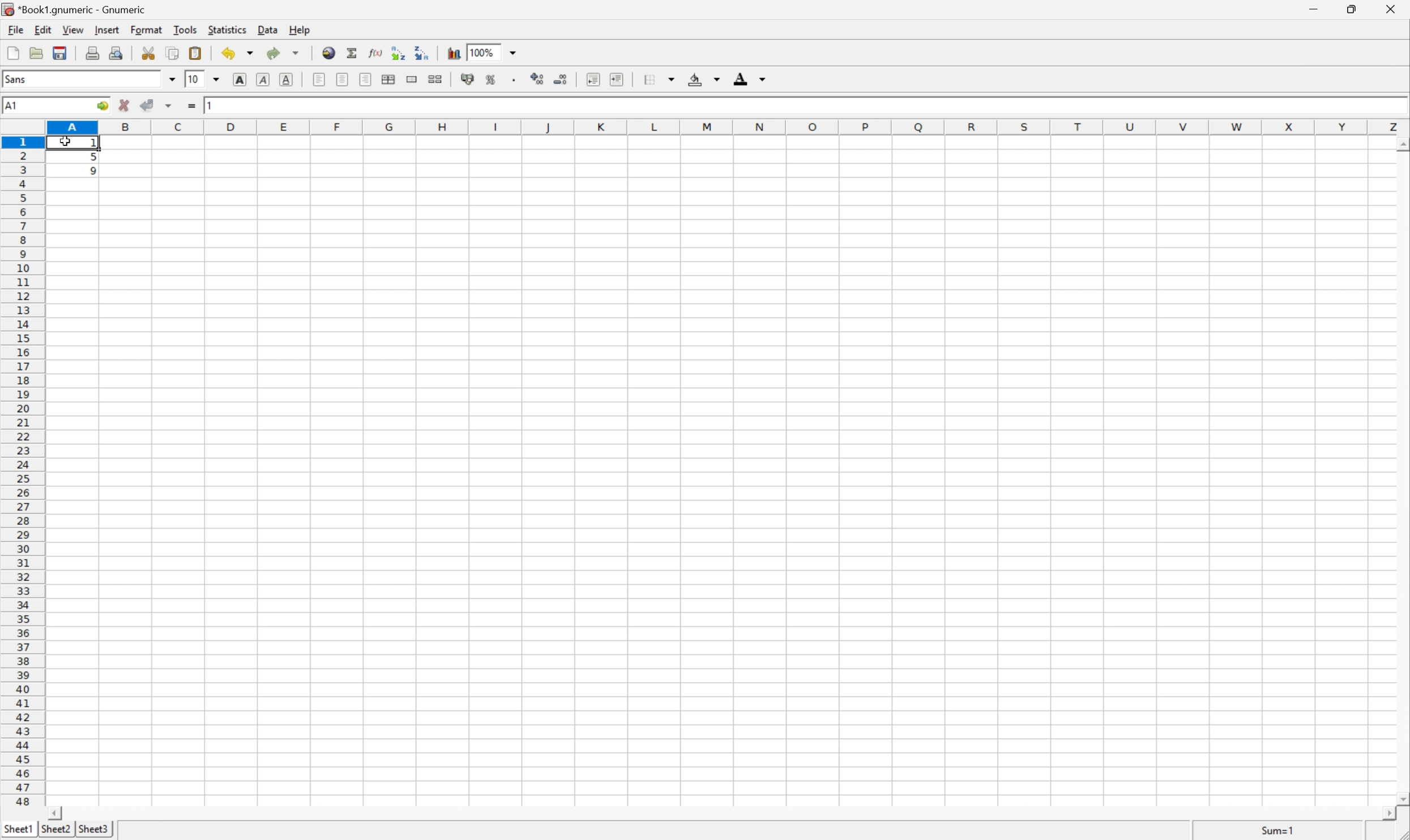  I want to click on font, so click(22, 78).